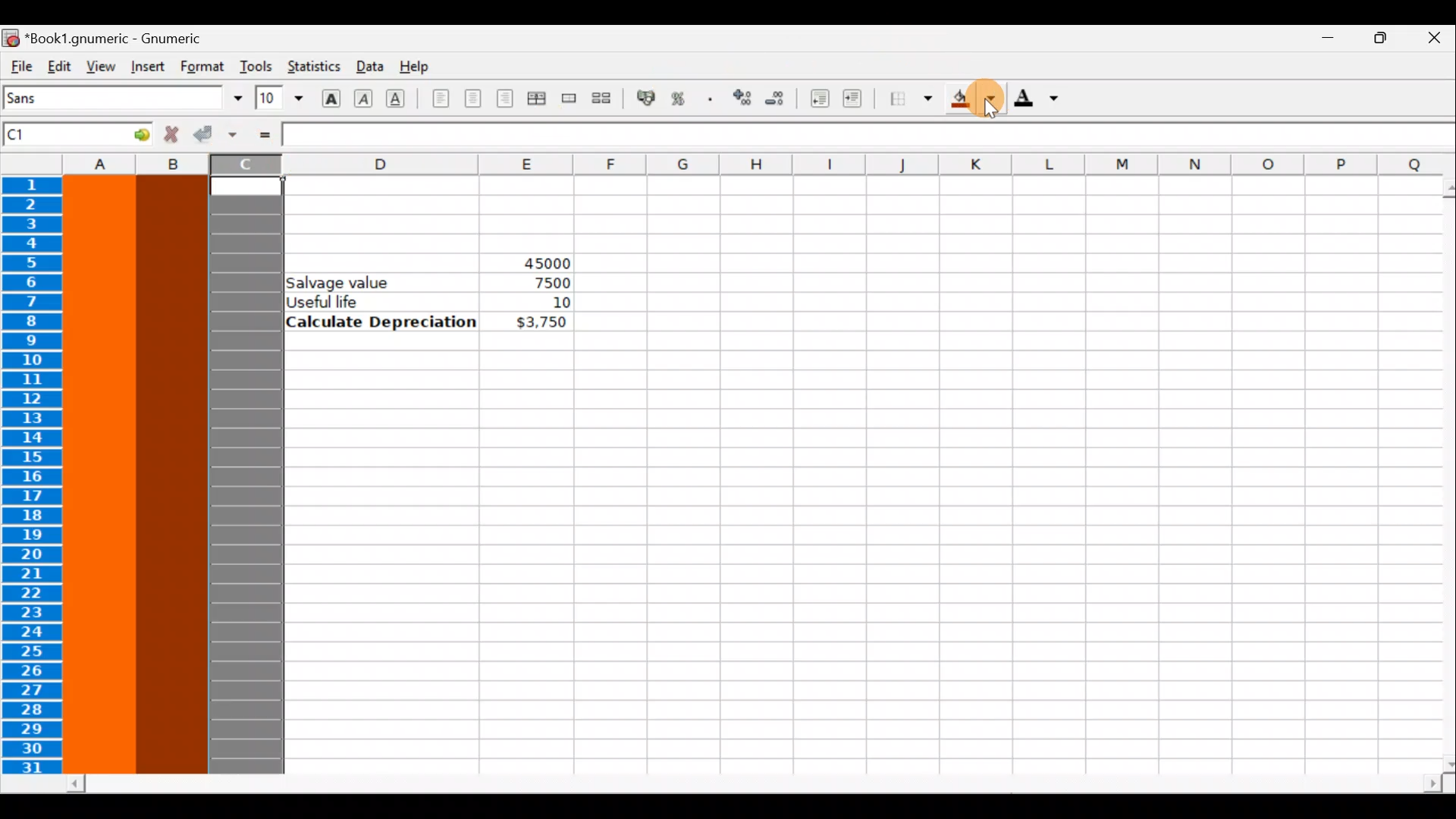 The image size is (1456, 819). What do you see at coordinates (536, 101) in the screenshot?
I see `Centre horizontally across selection` at bounding box center [536, 101].